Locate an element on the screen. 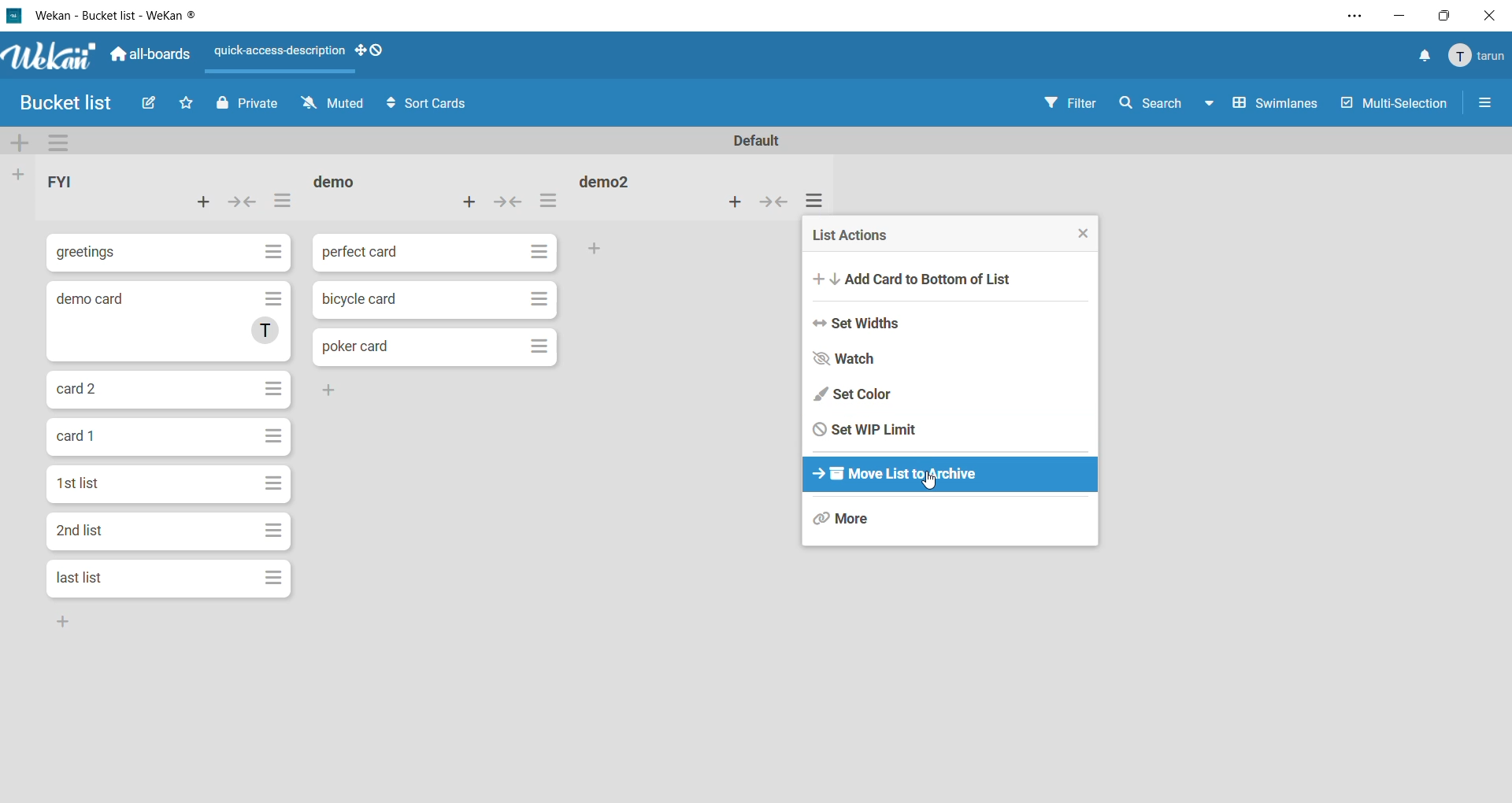 The width and height of the screenshot is (1512, 803). private is located at coordinates (248, 102).